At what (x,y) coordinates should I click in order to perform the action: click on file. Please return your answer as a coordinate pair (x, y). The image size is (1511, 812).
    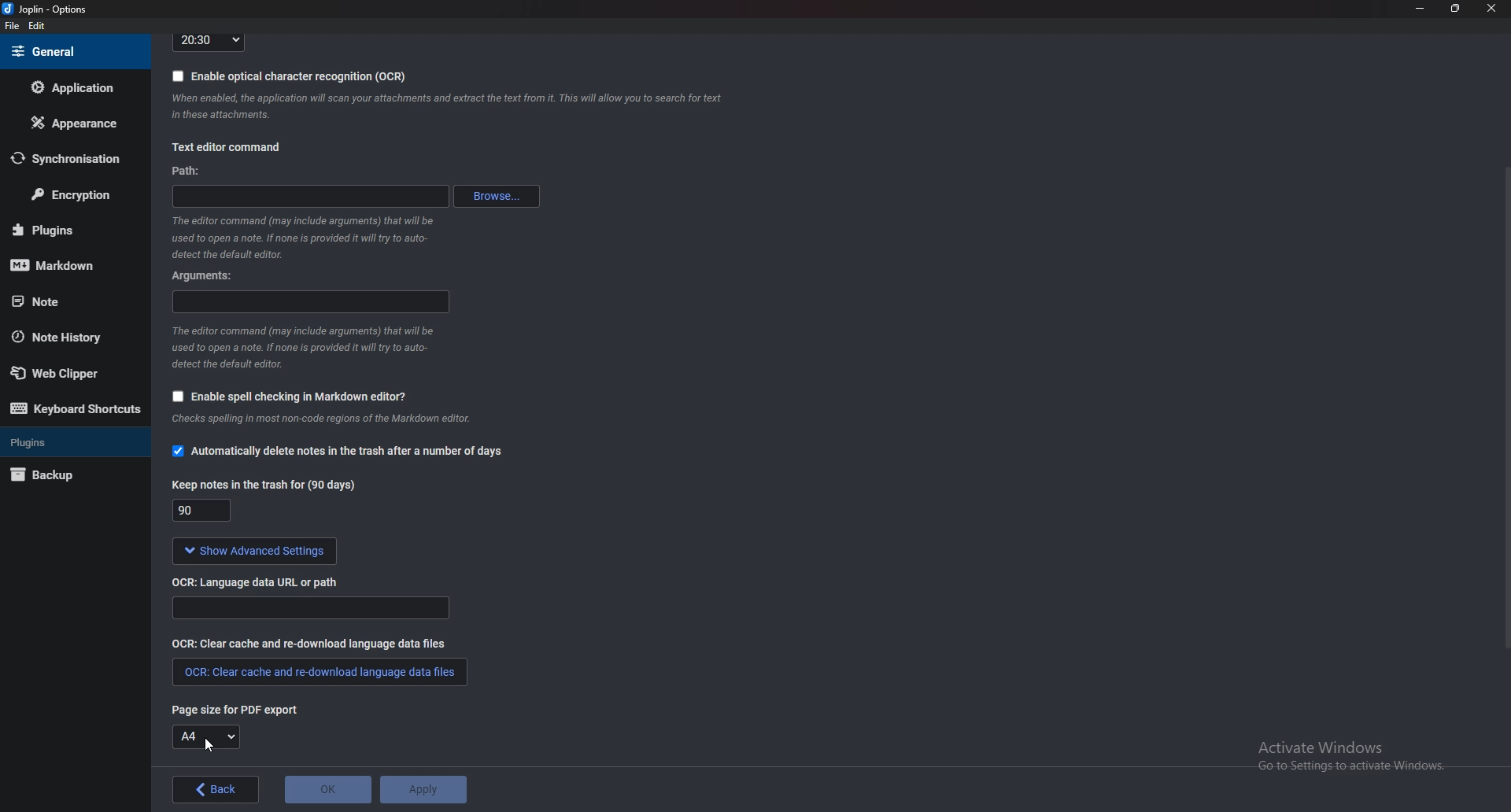
    Looking at the image, I should click on (14, 26).